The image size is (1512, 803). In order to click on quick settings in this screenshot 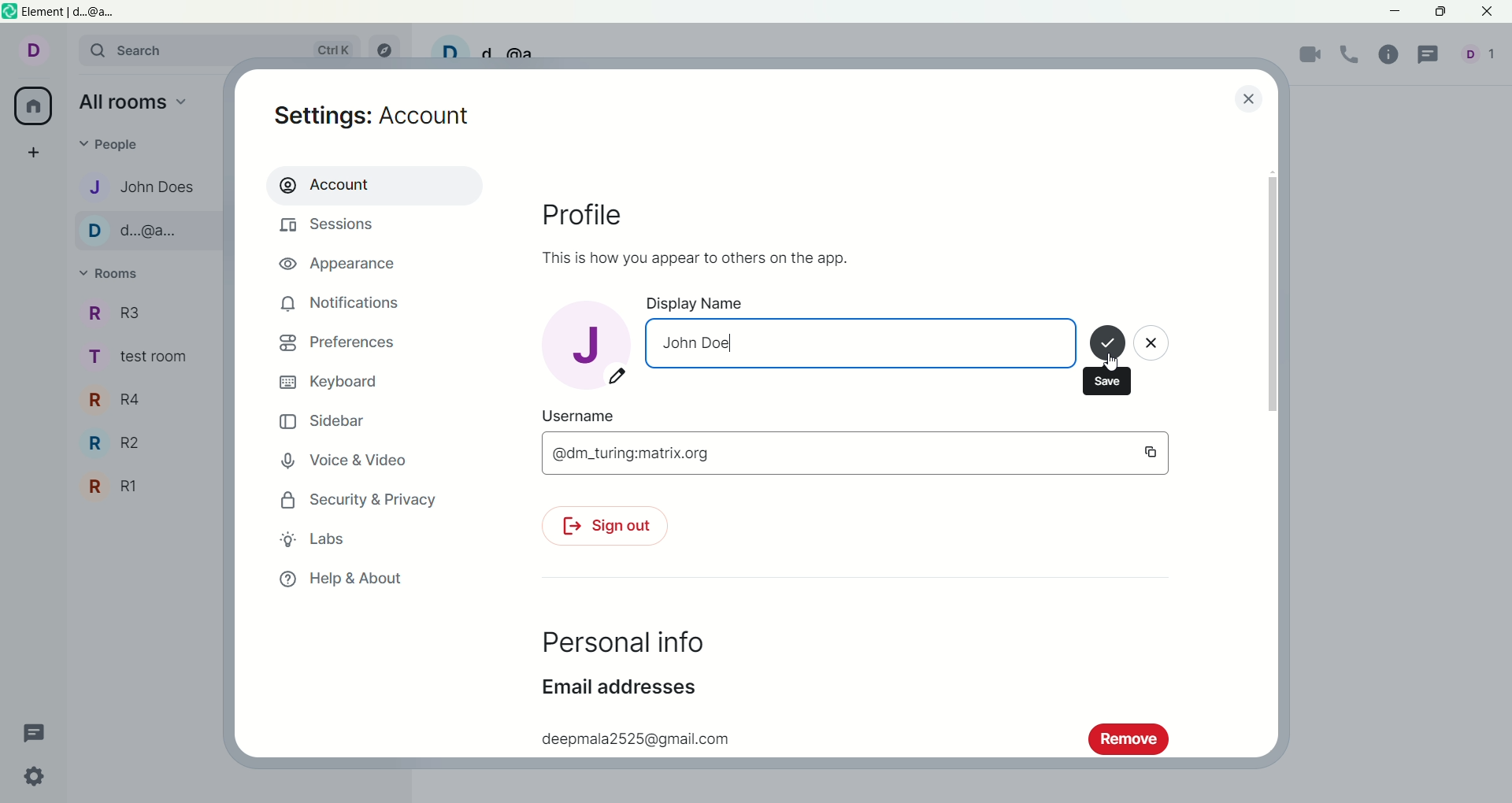, I will do `click(37, 780)`.